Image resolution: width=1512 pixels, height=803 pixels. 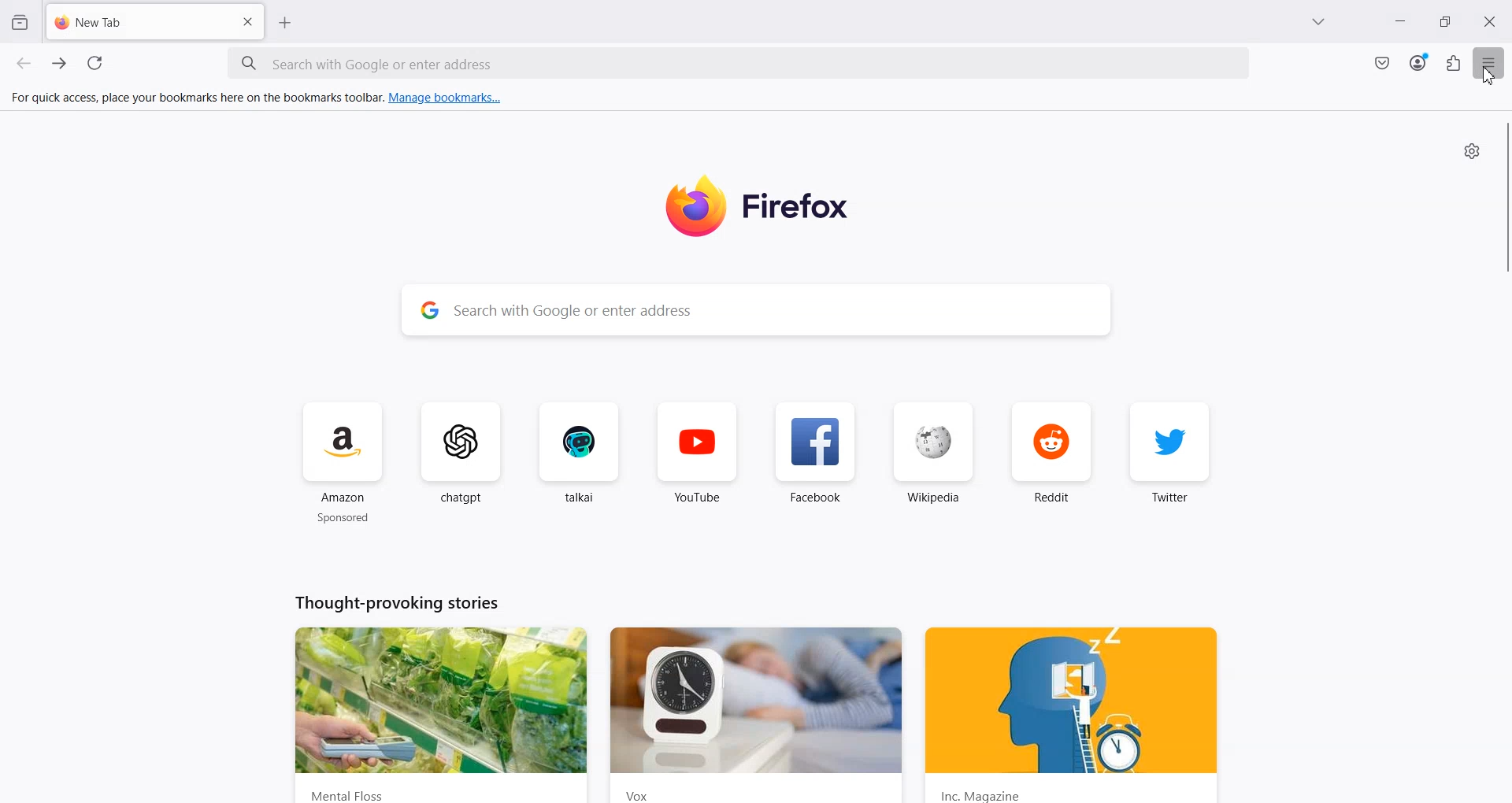 What do you see at coordinates (1503, 198) in the screenshot?
I see `Vertical scroll bar` at bounding box center [1503, 198].